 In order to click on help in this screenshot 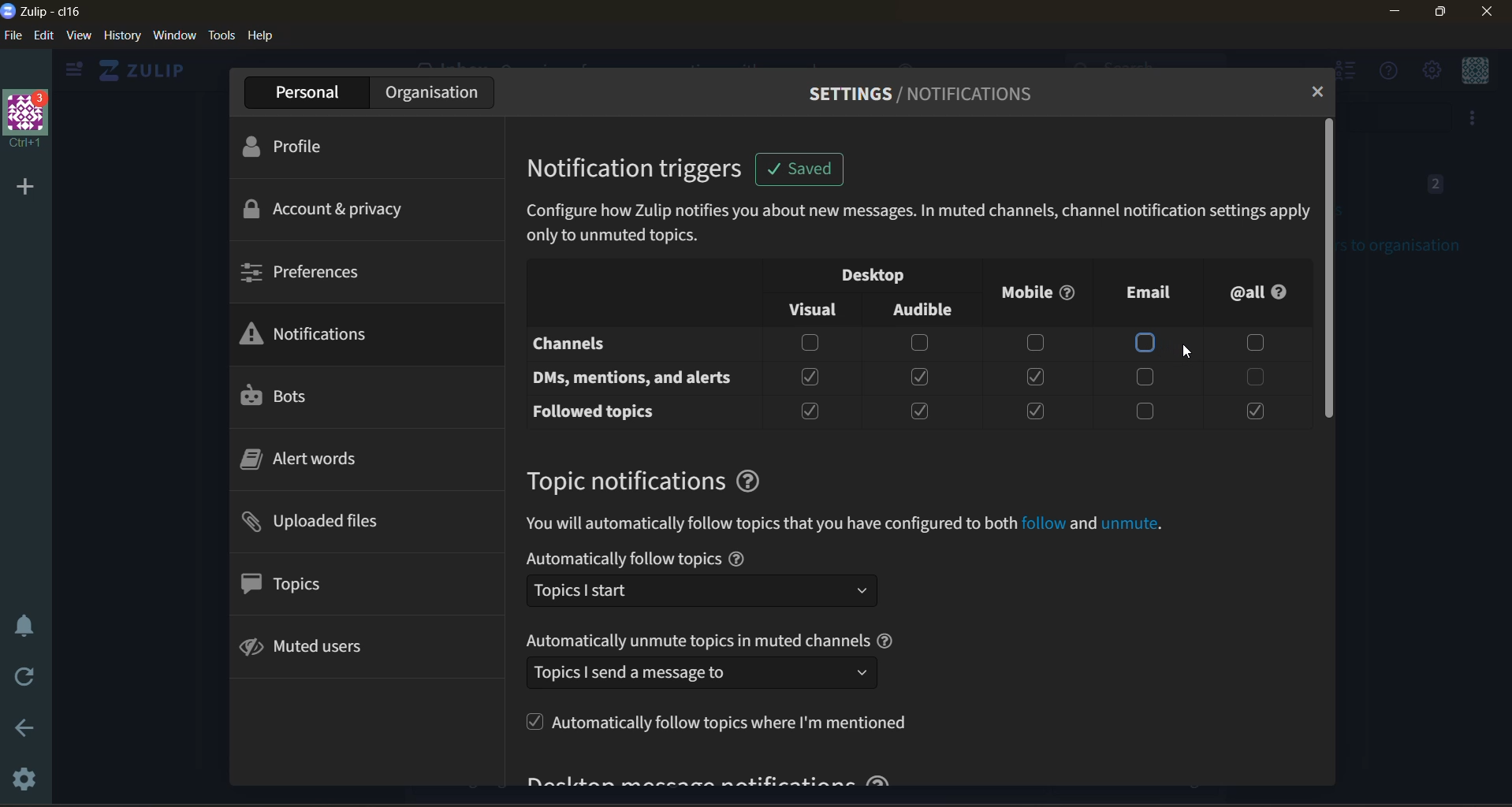, I will do `click(263, 35)`.